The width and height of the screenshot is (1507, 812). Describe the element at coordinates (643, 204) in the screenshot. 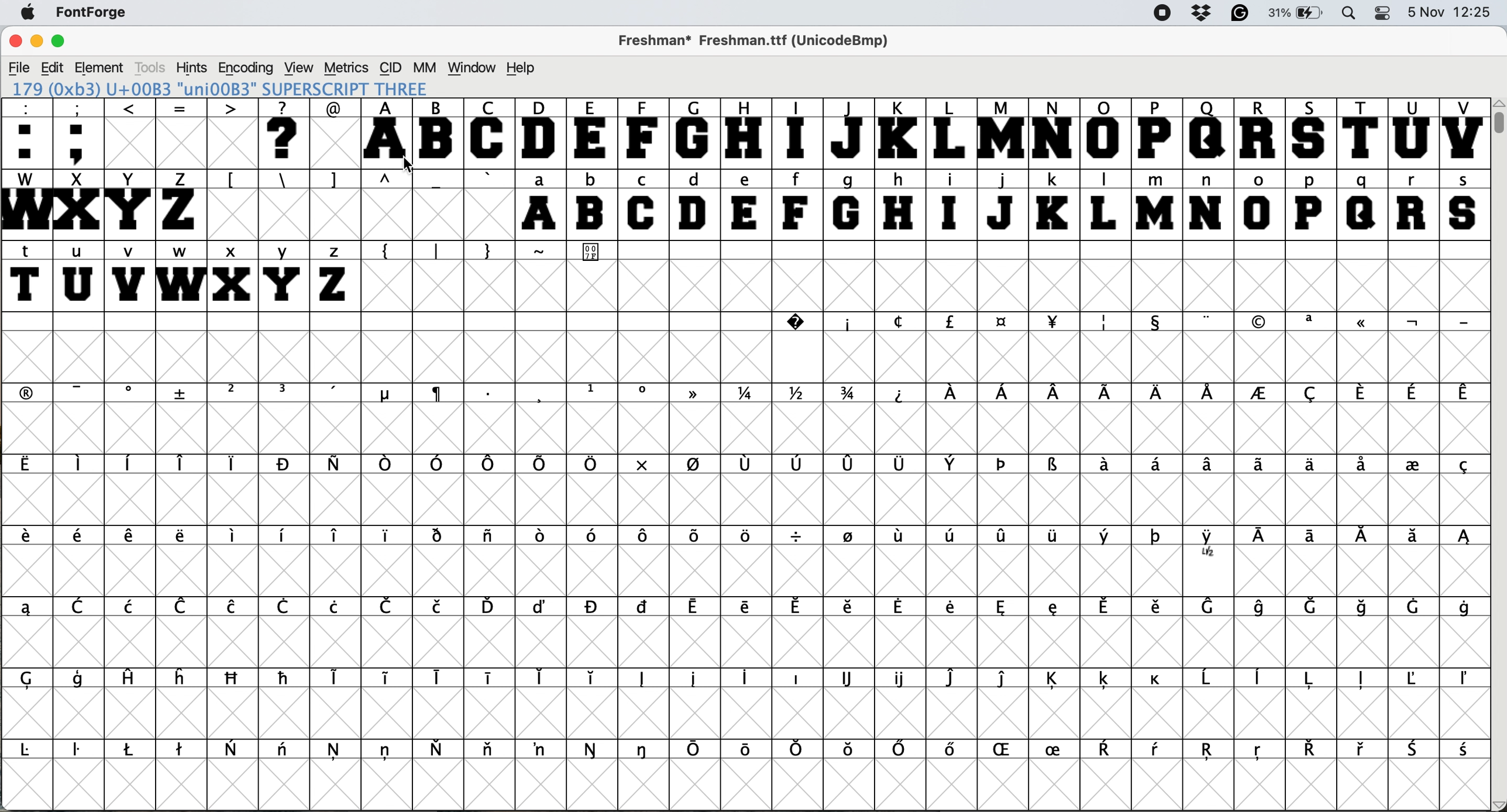

I see `c` at that location.